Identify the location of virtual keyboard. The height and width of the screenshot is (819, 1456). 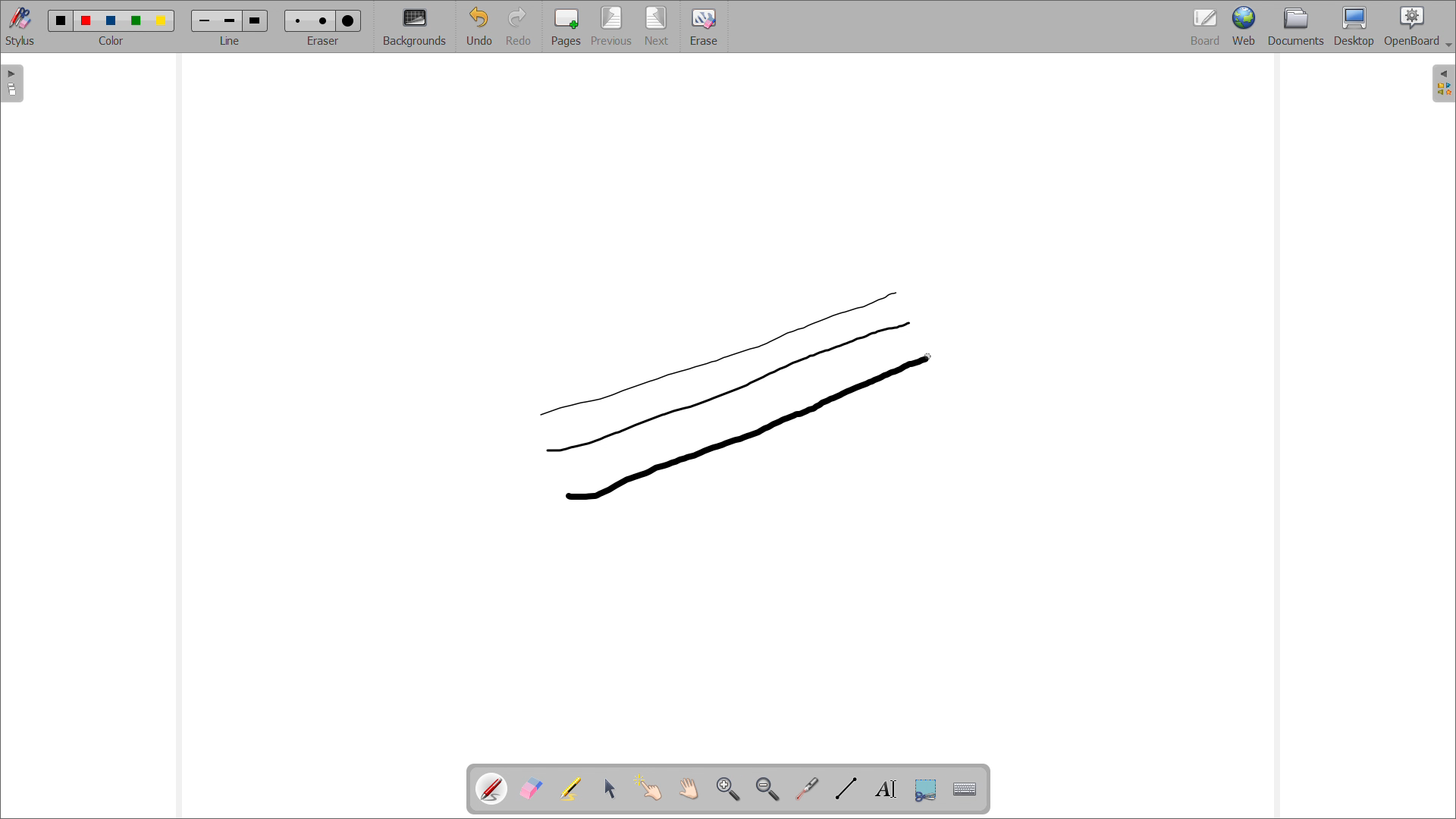
(966, 790).